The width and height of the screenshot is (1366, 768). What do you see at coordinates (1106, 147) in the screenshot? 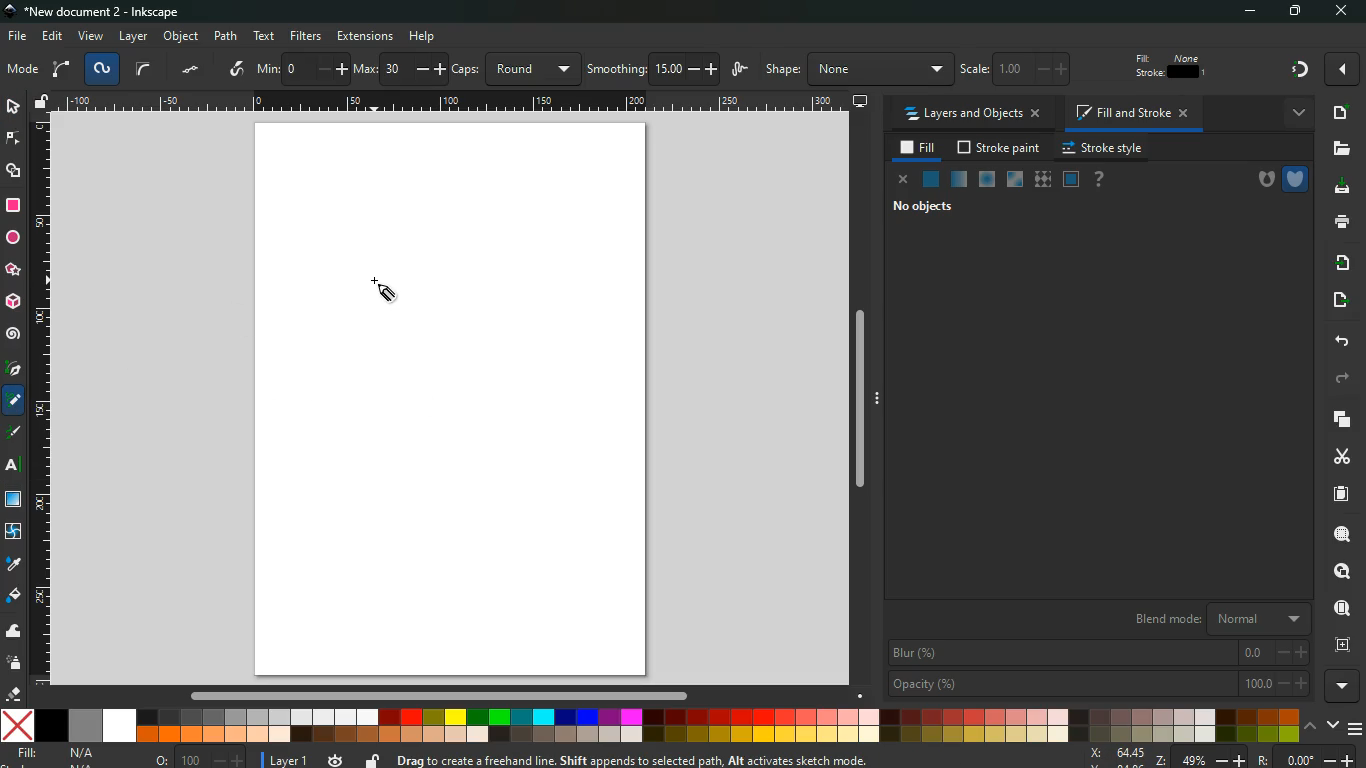
I see `stroke style` at bounding box center [1106, 147].